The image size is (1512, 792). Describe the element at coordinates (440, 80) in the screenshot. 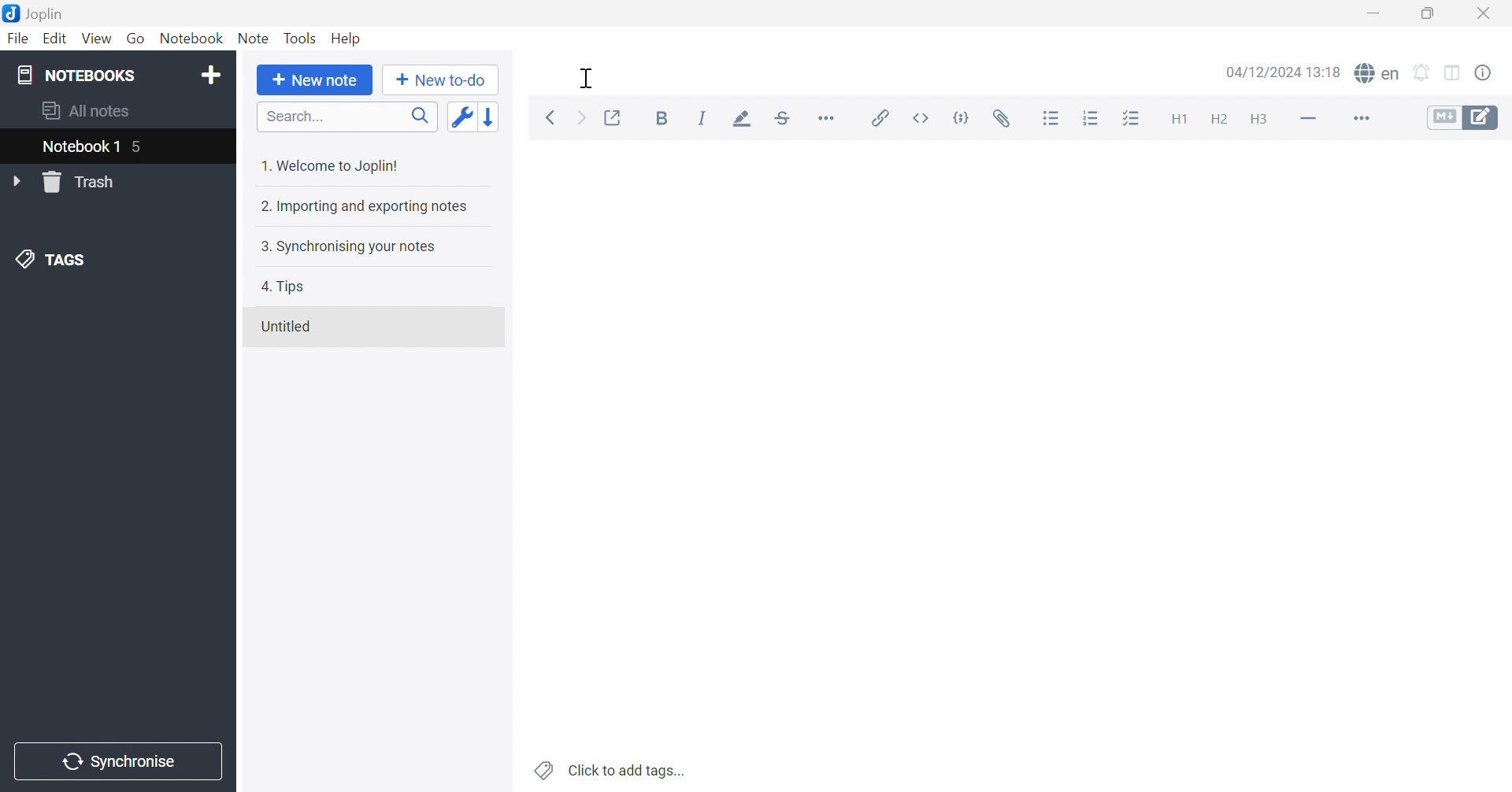

I see `New to-do` at that location.